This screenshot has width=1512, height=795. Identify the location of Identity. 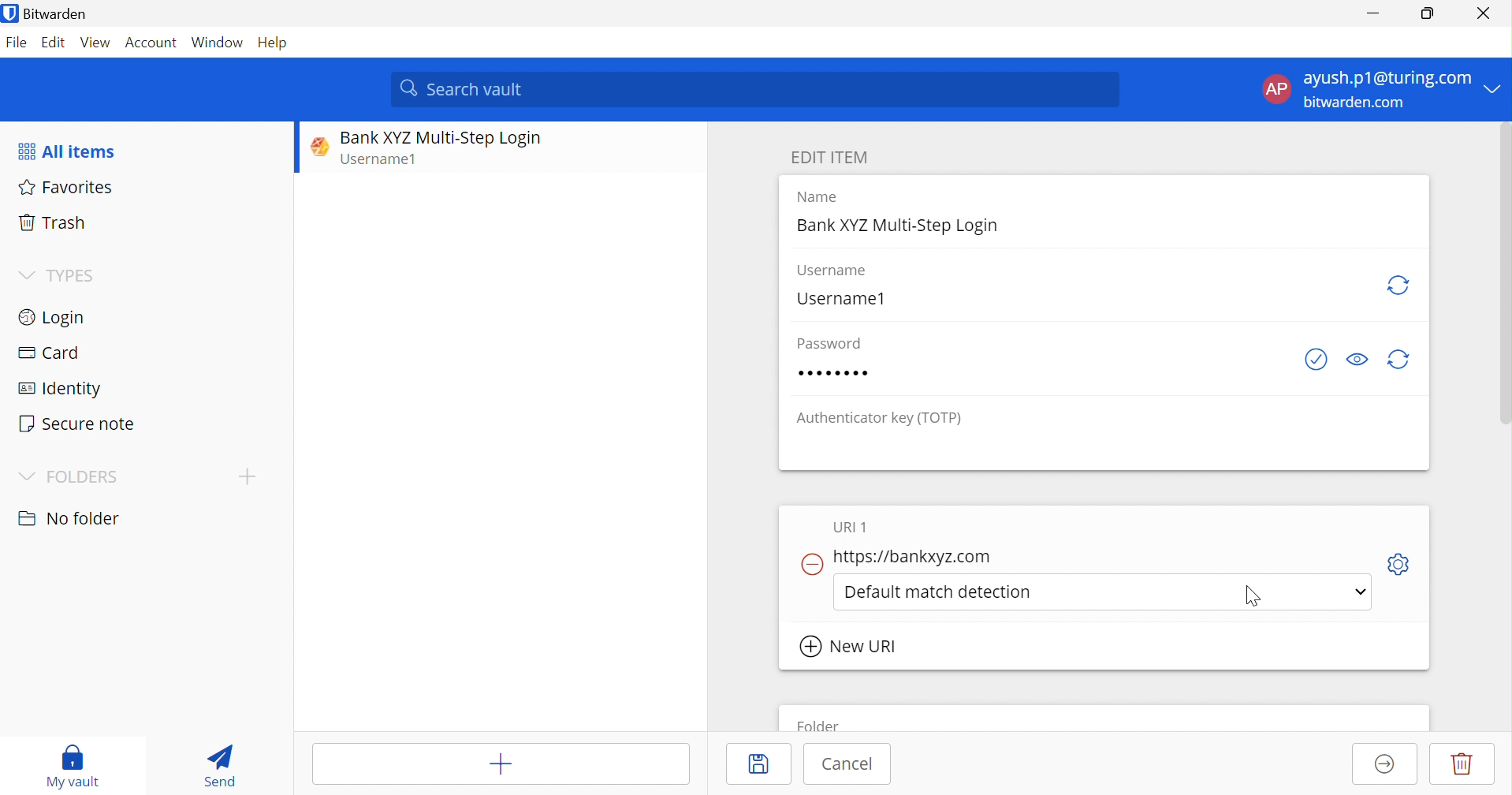
(61, 390).